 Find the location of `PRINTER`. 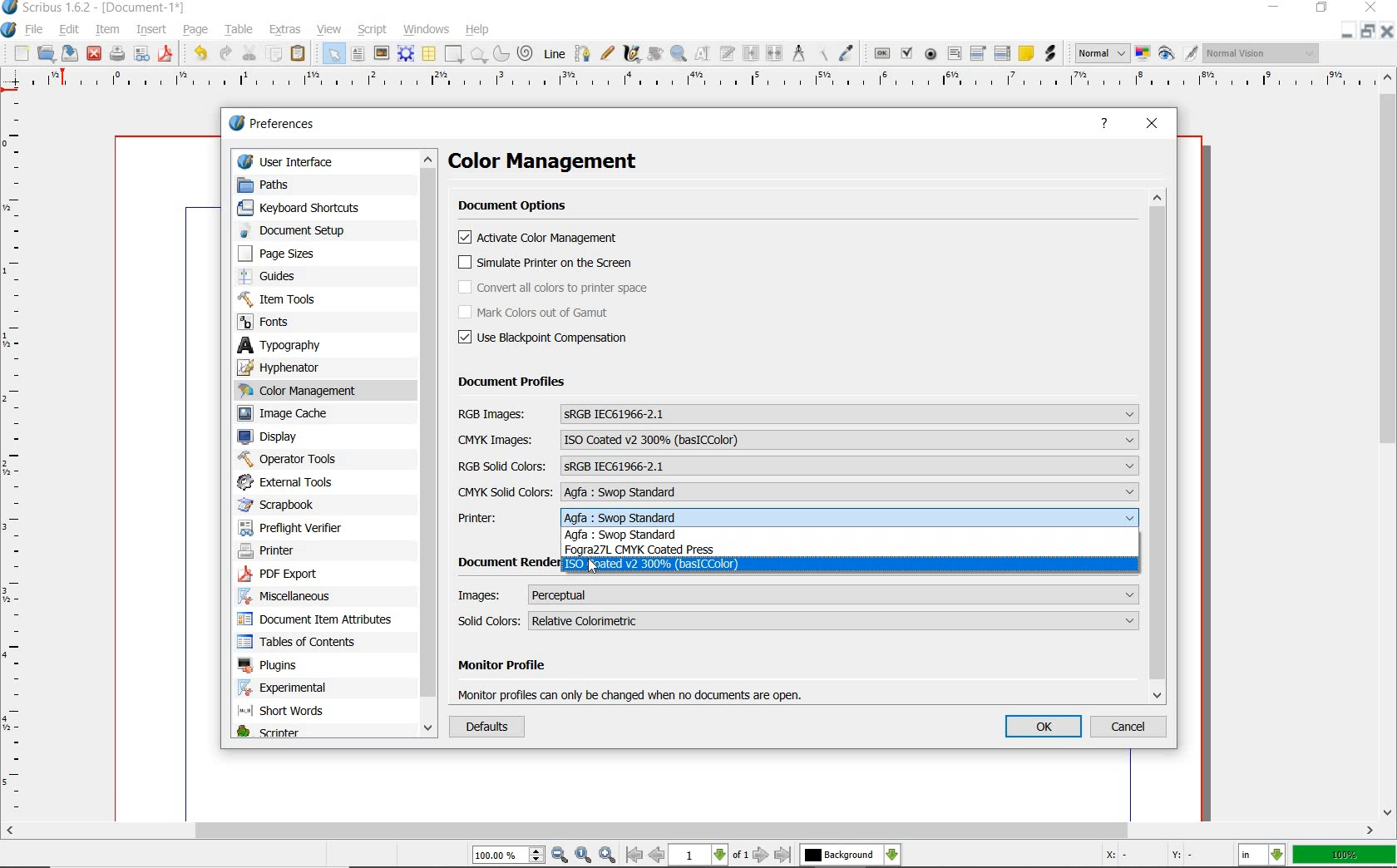

PRINTER is located at coordinates (798, 519).